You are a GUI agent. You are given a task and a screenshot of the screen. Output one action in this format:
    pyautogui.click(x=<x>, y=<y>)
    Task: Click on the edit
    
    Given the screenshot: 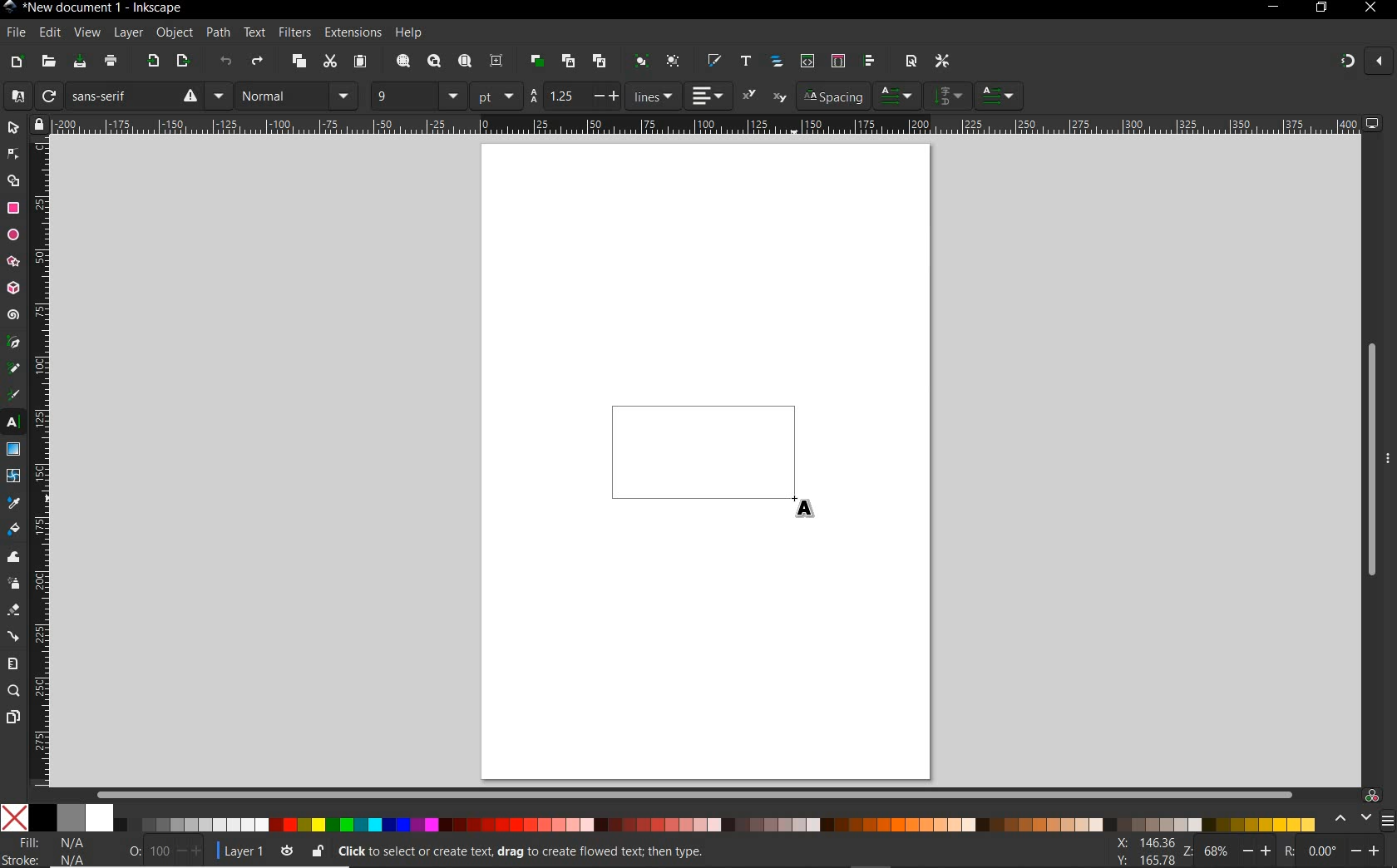 What is the action you would take?
    pyautogui.click(x=49, y=33)
    